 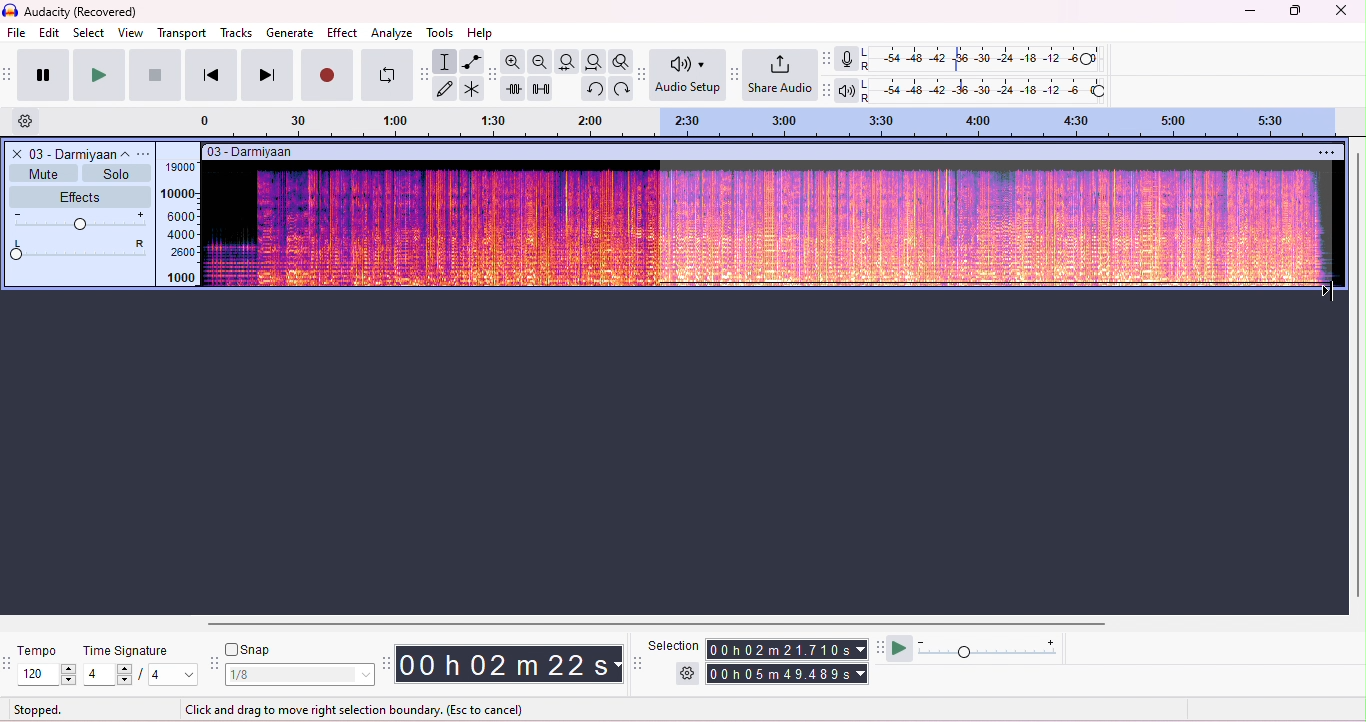 I want to click on selection options, so click(x=689, y=672).